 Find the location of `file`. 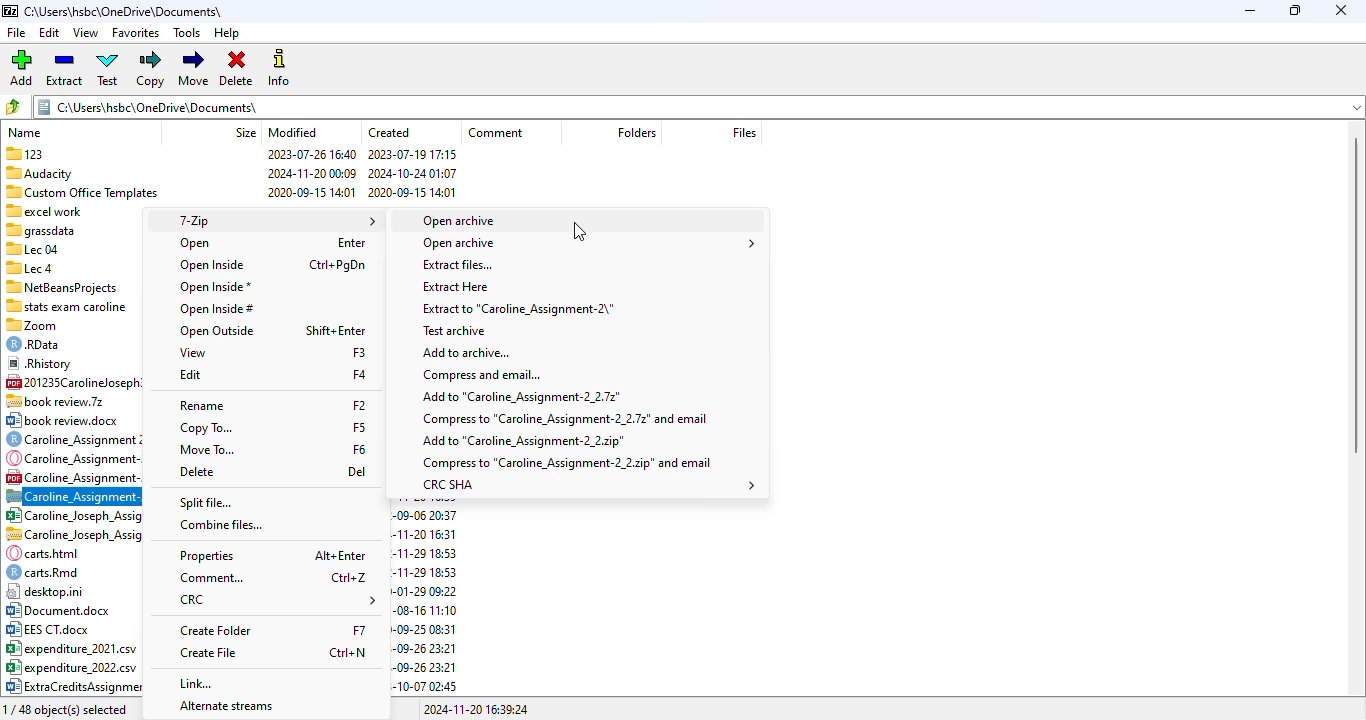

file is located at coordinates (17, 33).